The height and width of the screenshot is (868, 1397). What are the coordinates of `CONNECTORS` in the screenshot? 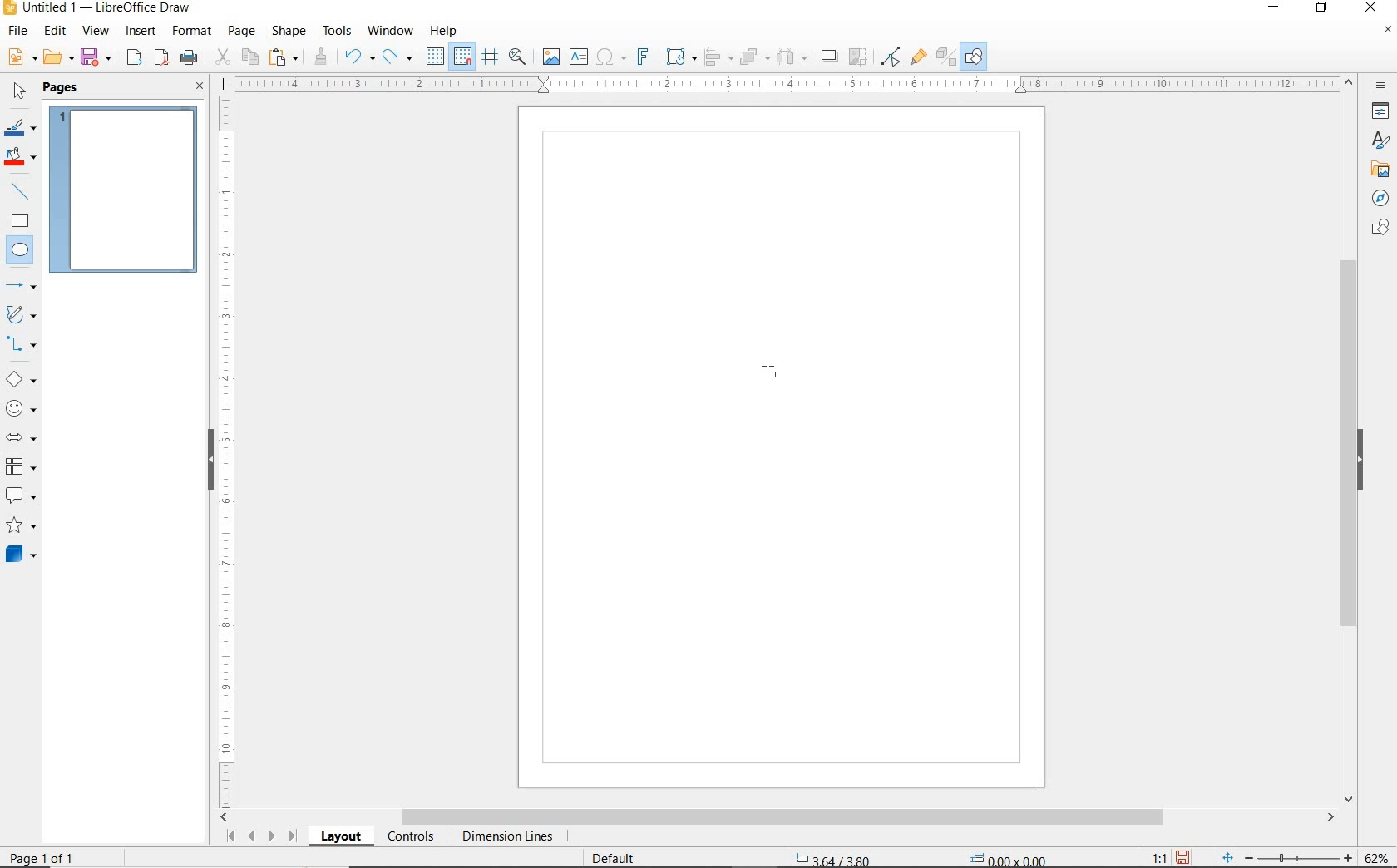 It's located at (22, 344).